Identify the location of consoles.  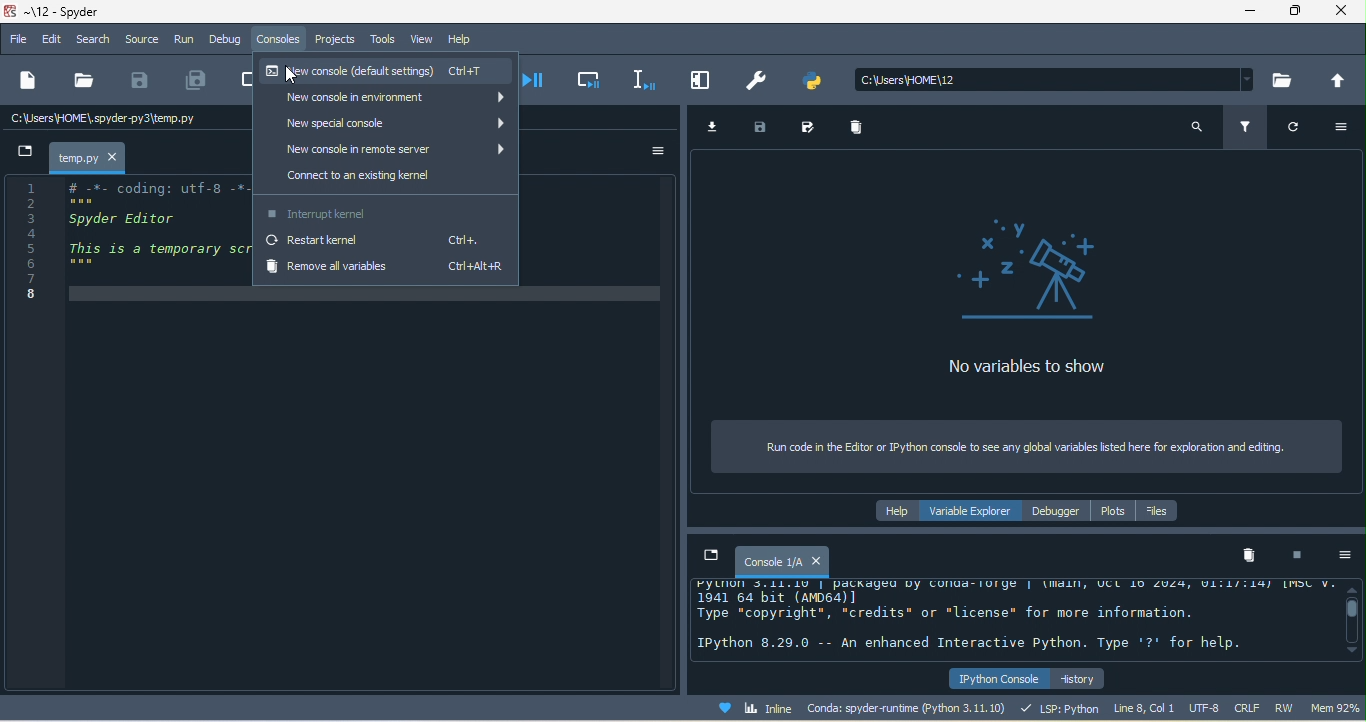
(282, 43).